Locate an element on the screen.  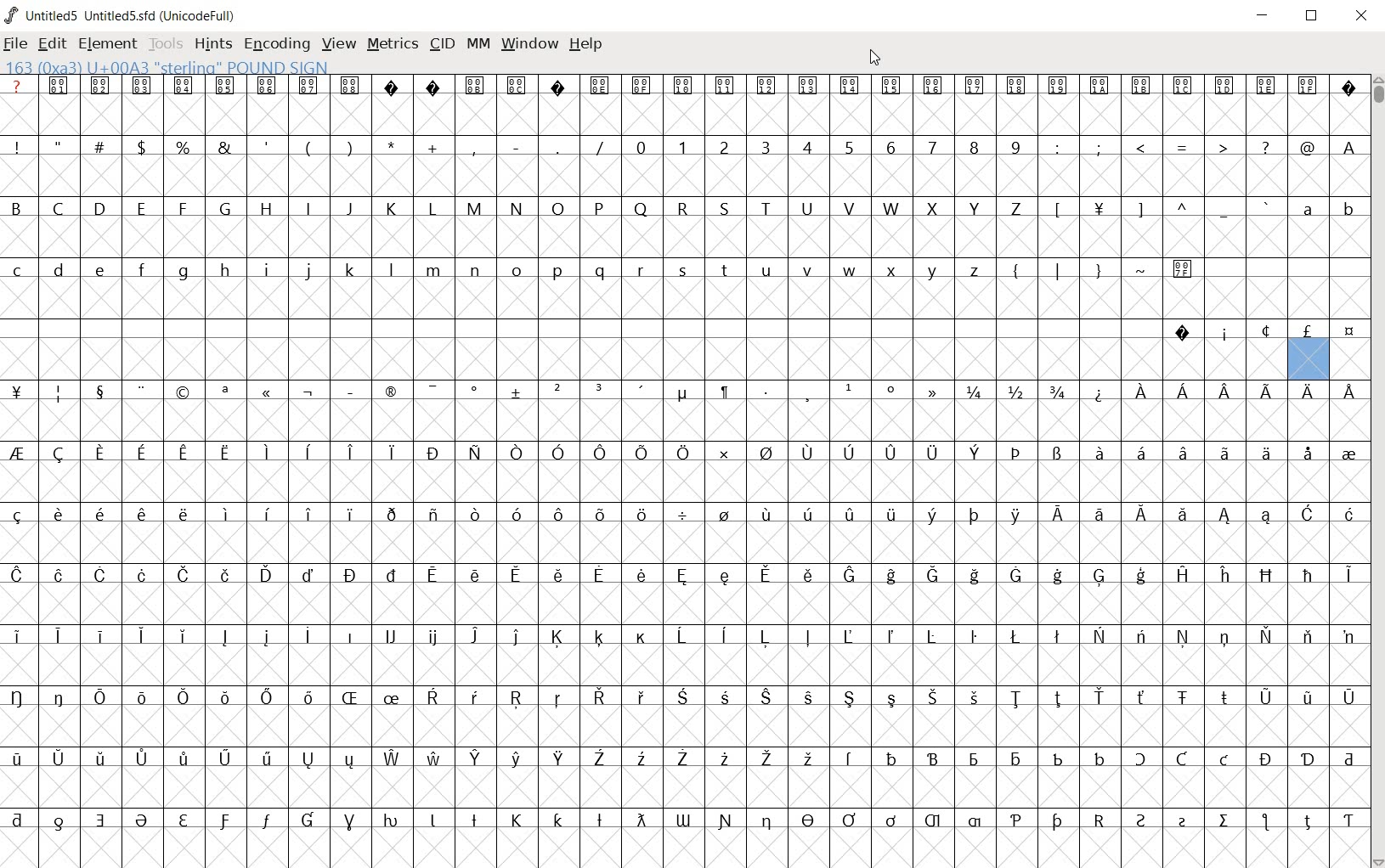
Symbol is located at coordinates (308, 513).